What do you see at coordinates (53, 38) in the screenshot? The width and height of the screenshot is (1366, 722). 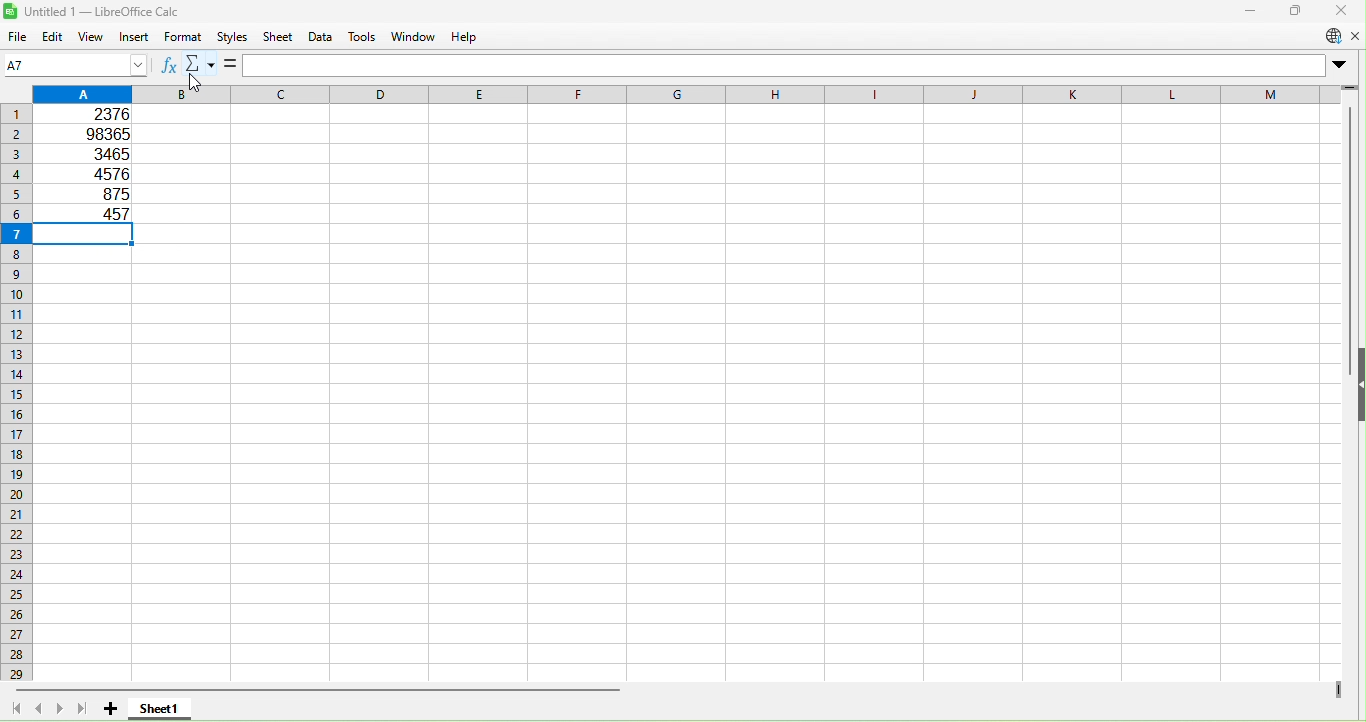 I see `Edit` at bounding box center [53, 38].